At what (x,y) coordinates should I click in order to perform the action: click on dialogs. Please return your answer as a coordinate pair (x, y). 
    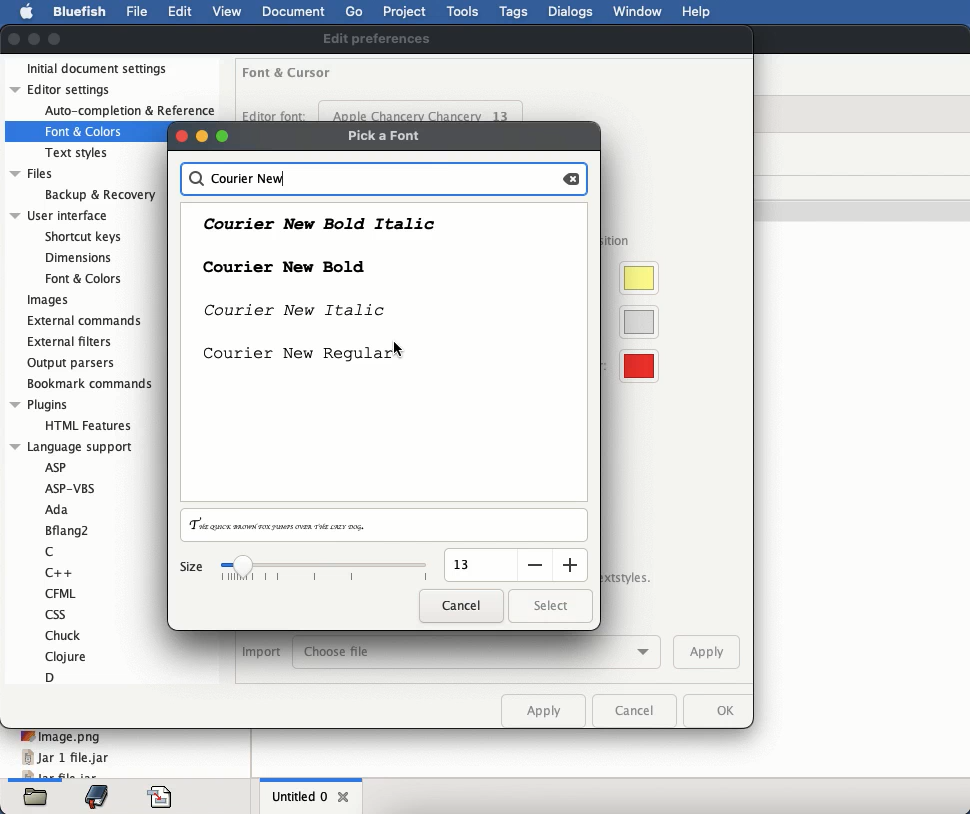
    Looking at the image, I should click on (572, 12).